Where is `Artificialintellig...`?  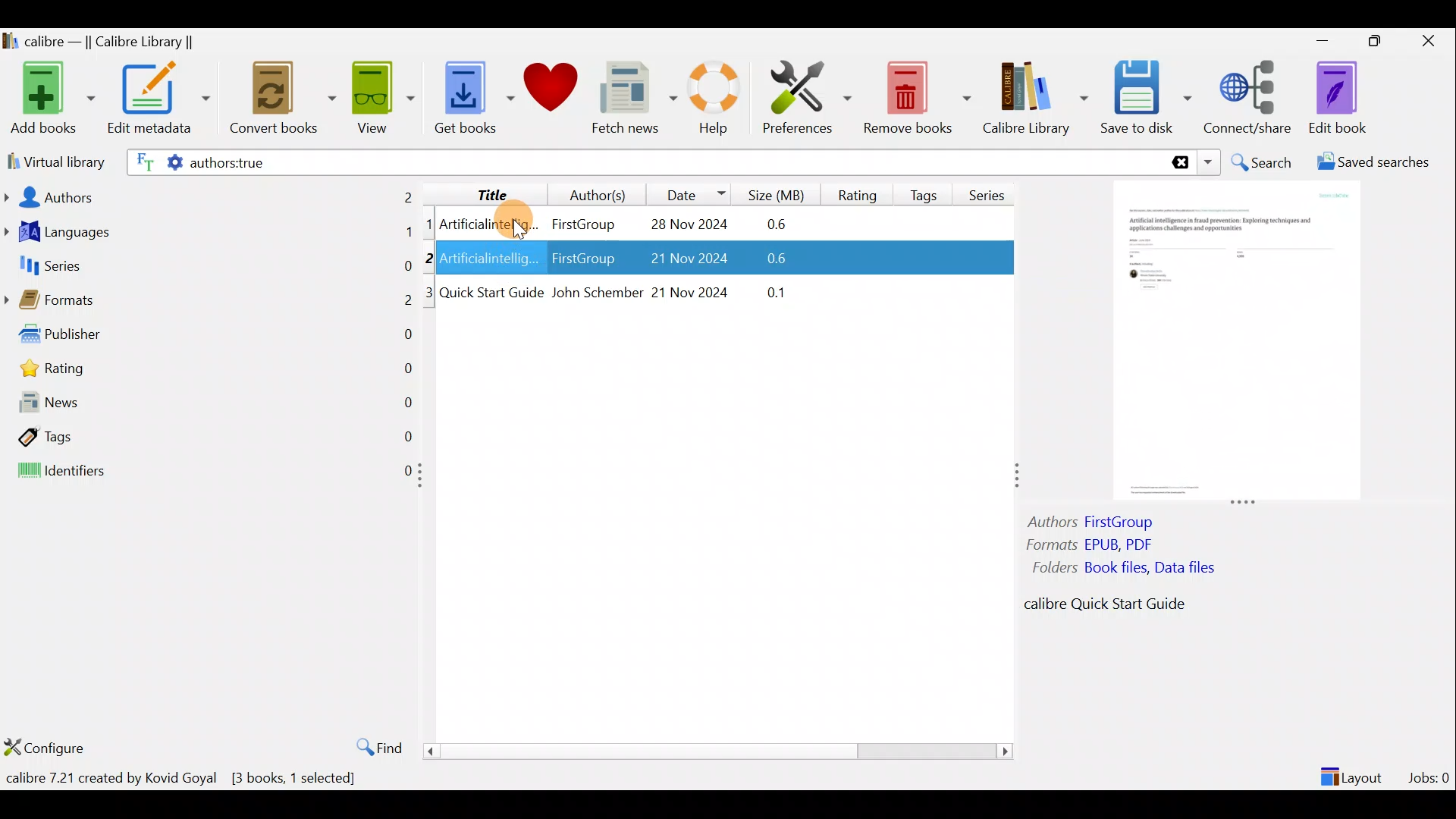
Artificialintellig... is located at coordinates (491, 223).